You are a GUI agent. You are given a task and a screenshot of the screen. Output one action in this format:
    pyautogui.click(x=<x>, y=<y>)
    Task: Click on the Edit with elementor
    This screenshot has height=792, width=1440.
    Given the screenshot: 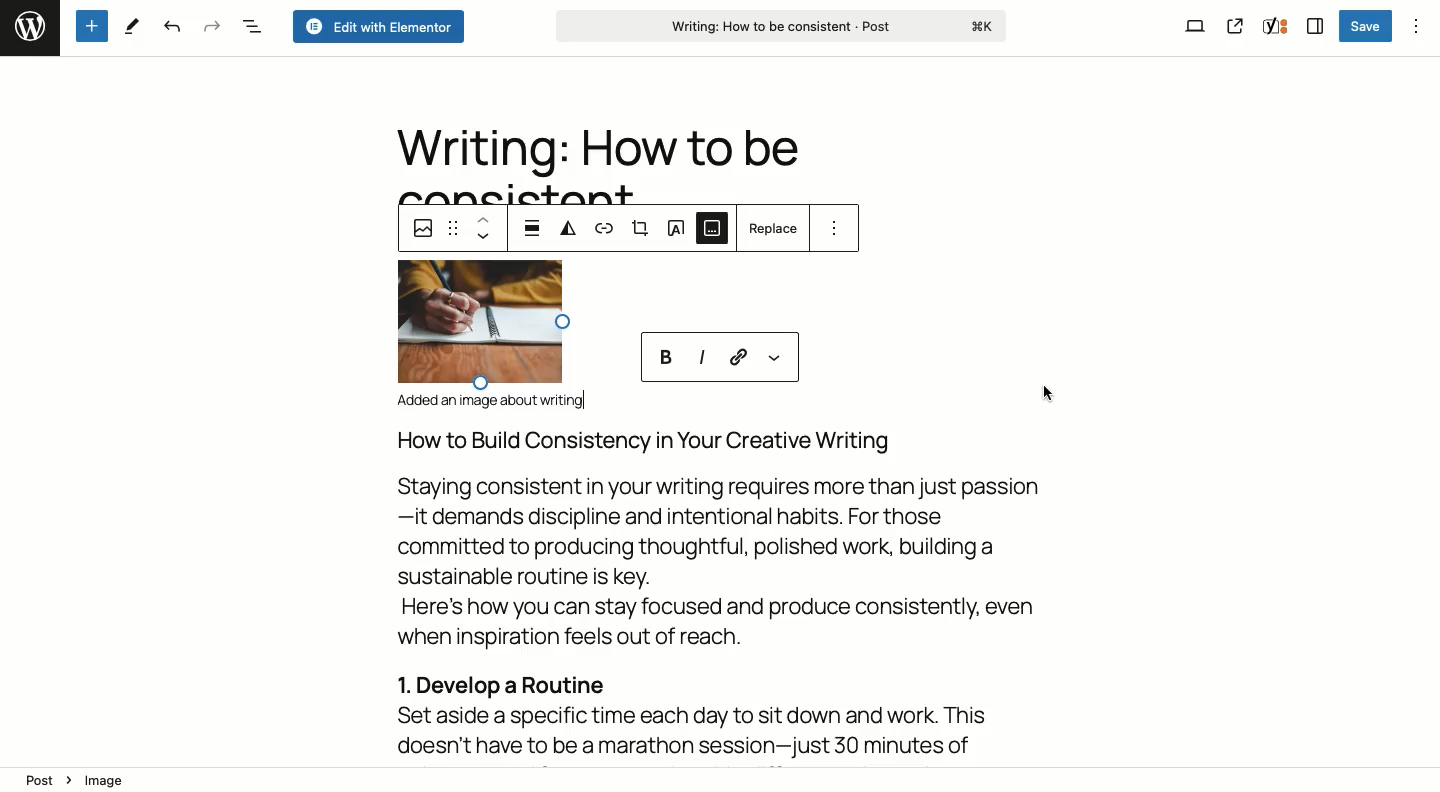 What is the action you would take?
    pyautogui.click(x=377, y=26)
    